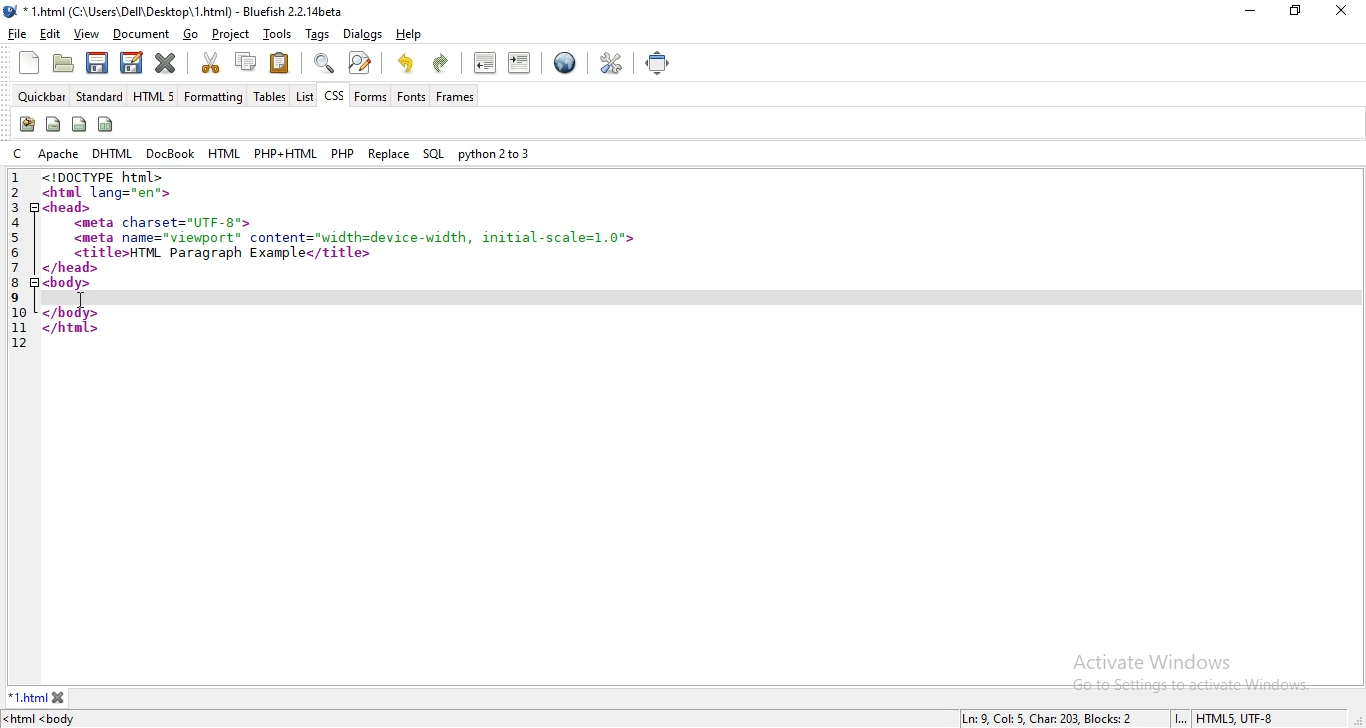 Image resolution: width=1366 pixels, height=728 pixels. What do you see at coordinates (59, 697) in the screenshot?
I see `close` at bounding box center [59, 697].